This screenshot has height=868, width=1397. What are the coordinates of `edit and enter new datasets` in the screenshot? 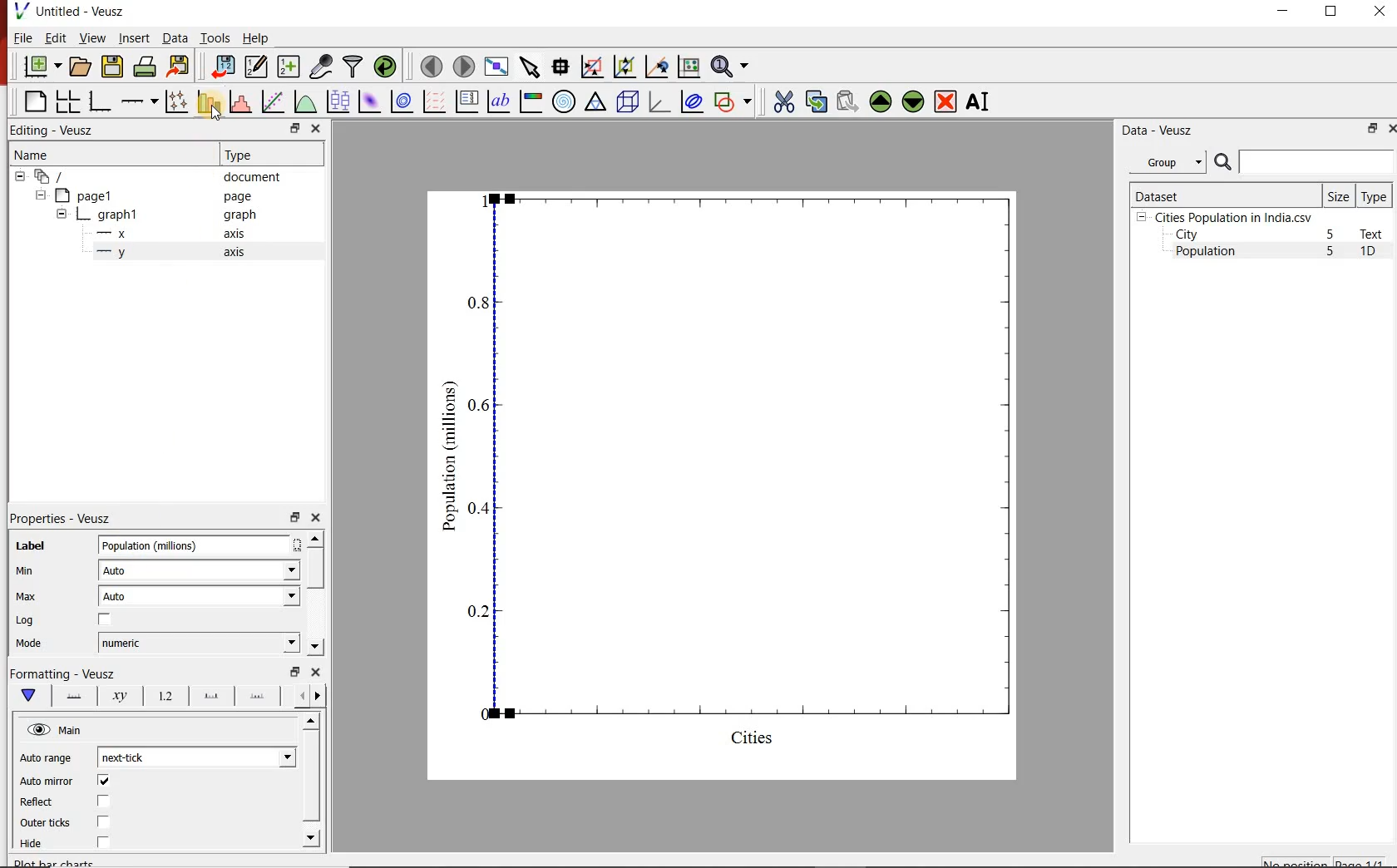 It's located at (254, 67).